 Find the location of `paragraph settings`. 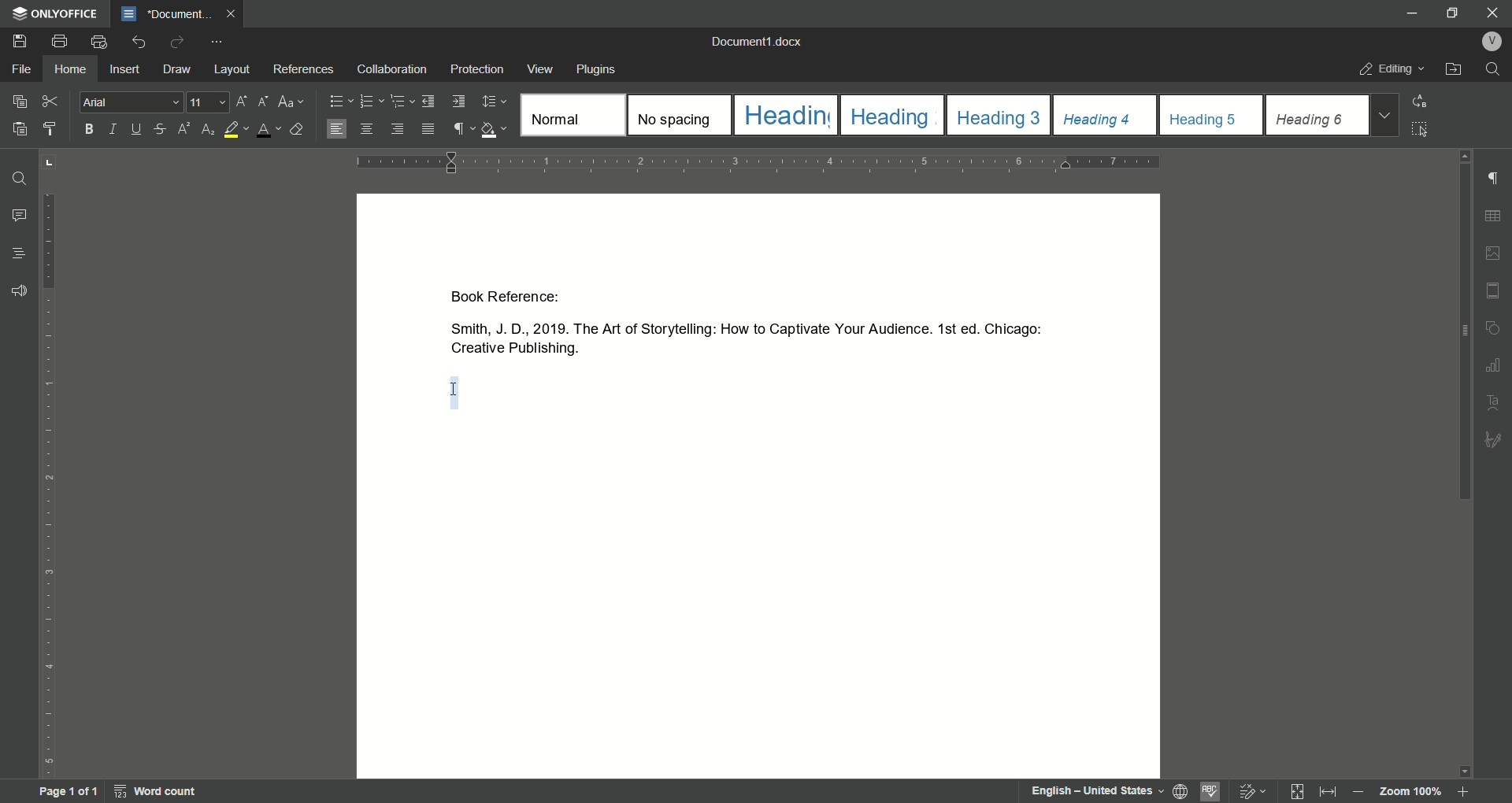

paragraph settings is located at coordinates (1494, 179).